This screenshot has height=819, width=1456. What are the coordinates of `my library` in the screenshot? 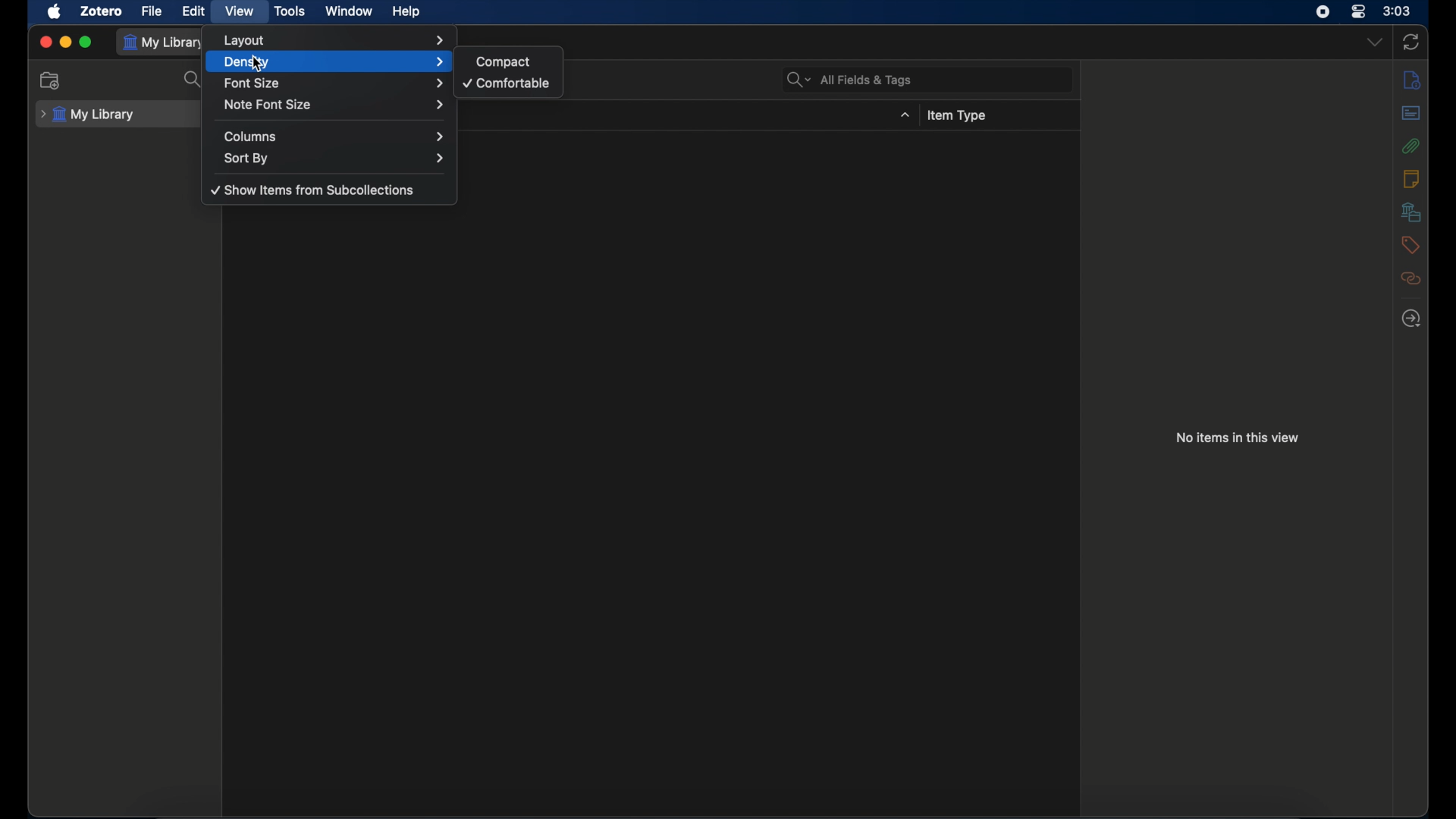 It's located at (88, 115).